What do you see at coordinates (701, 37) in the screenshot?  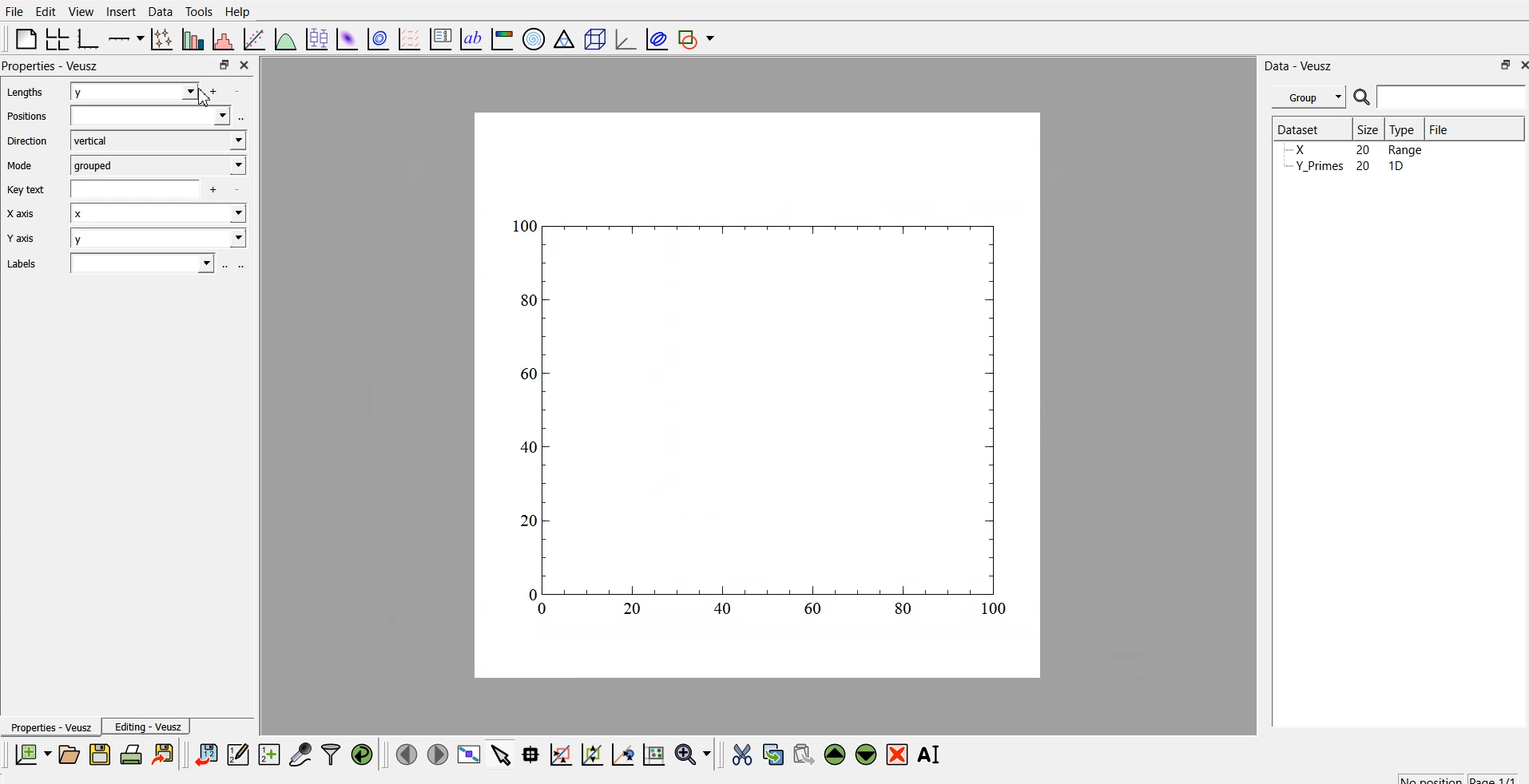 I see `add shape to plot` at bounding box center [701, 37].